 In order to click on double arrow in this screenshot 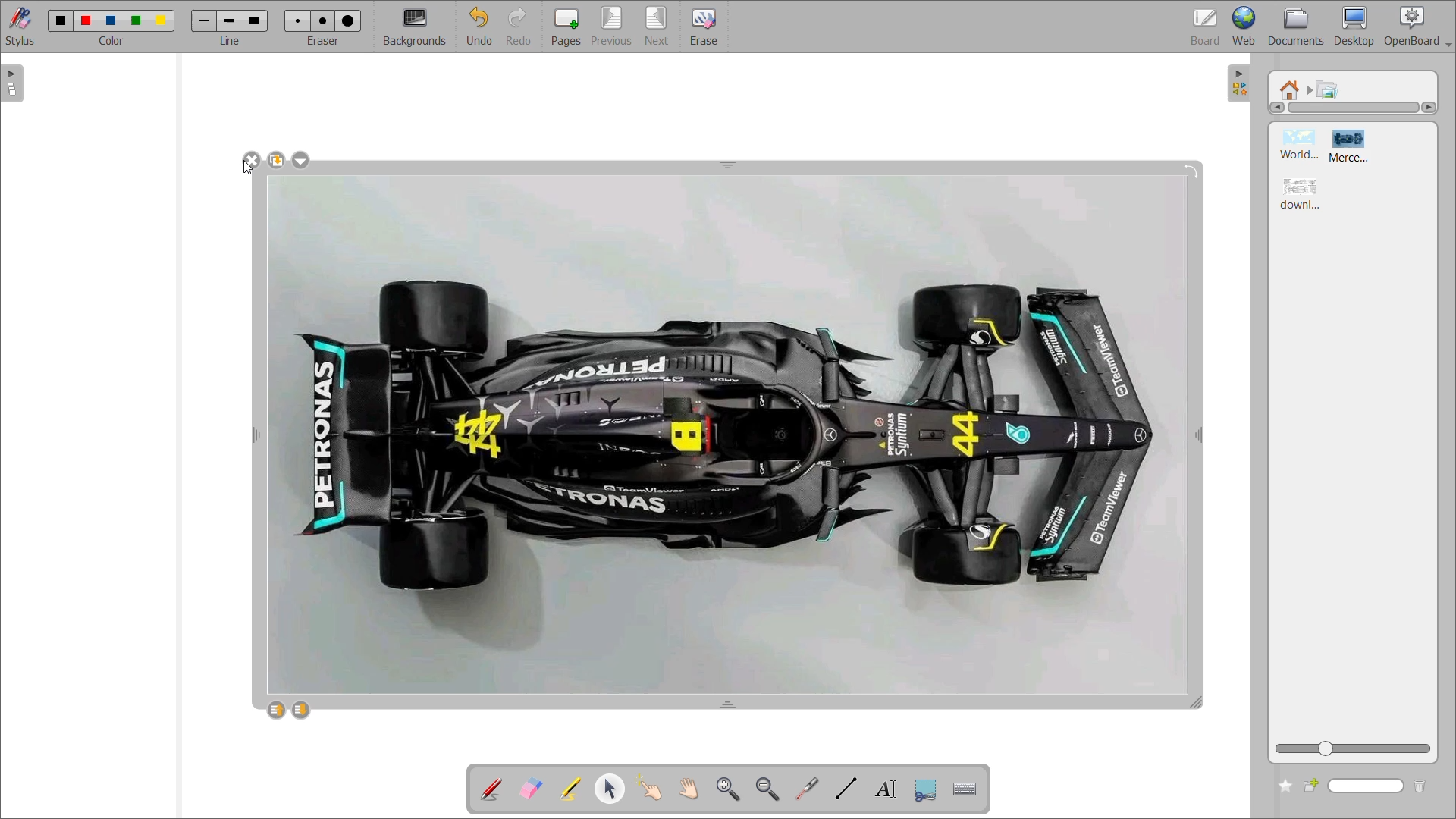, I will do `click(728, 701)`.